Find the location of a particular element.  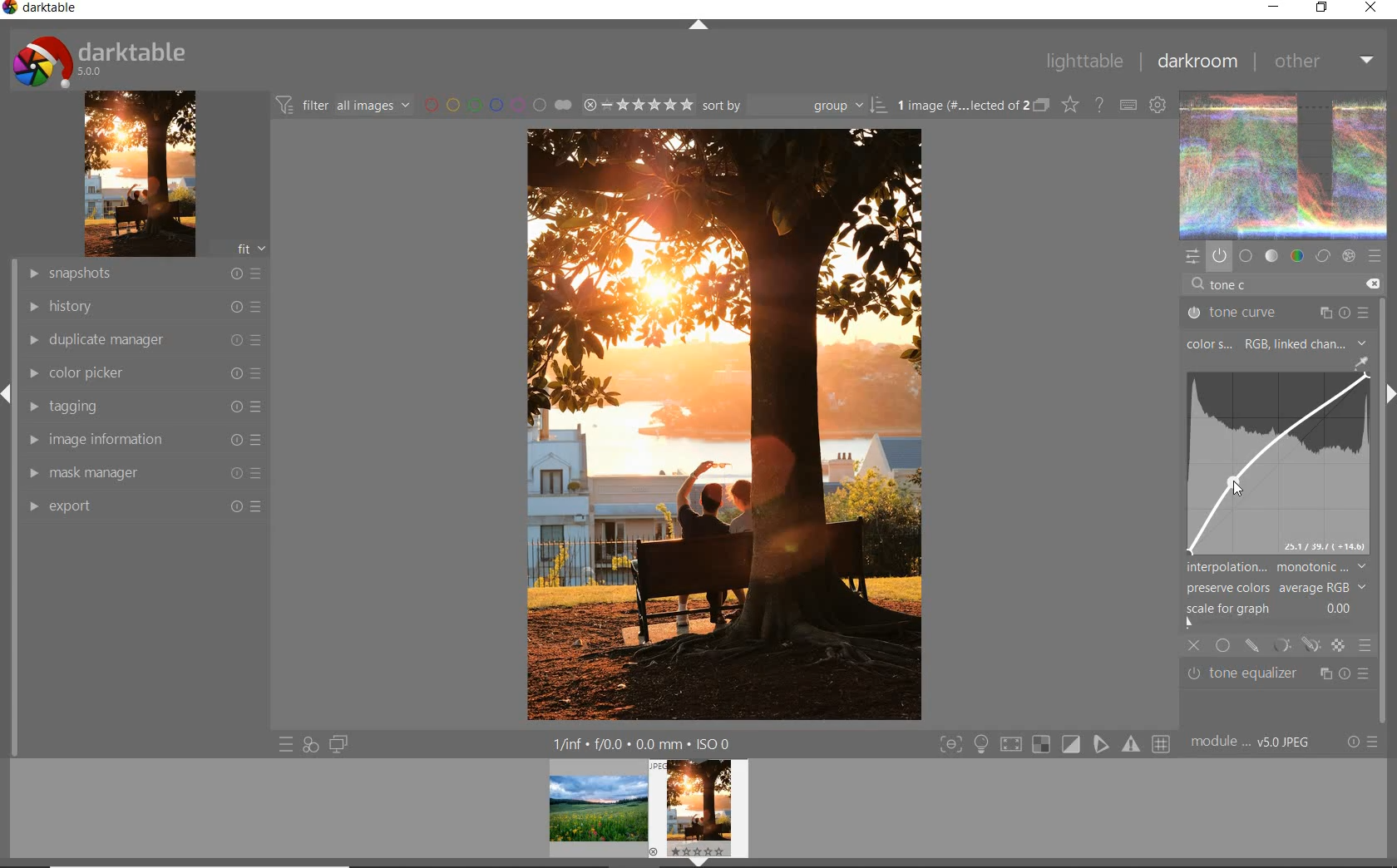

restore is located at coordinates (1324, 8).